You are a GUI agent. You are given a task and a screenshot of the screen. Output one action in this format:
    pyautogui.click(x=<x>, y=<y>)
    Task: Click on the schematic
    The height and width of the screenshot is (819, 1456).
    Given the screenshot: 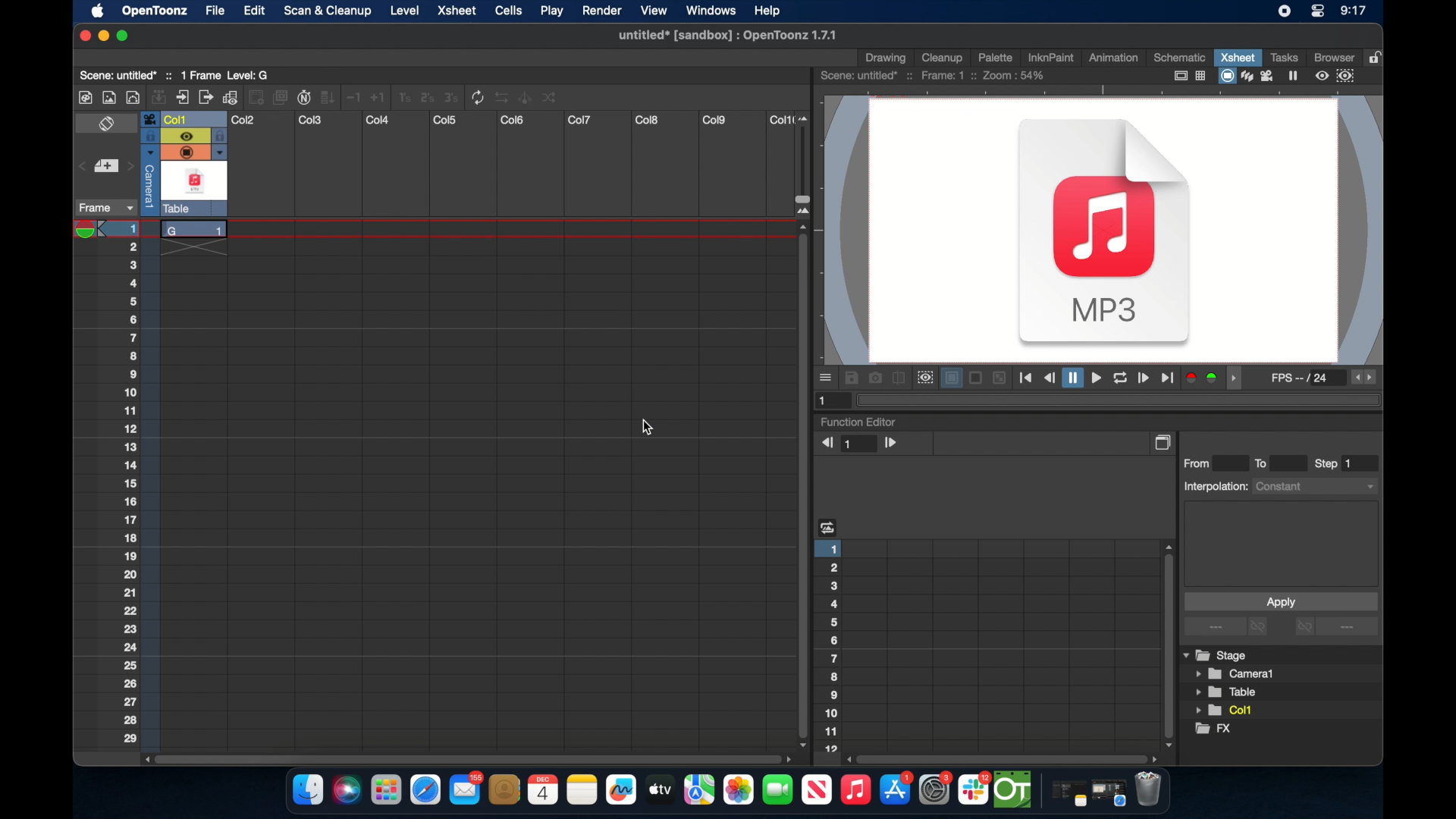 What is the action you would take?
    pyautogui.click(x=1180, y=57)
    